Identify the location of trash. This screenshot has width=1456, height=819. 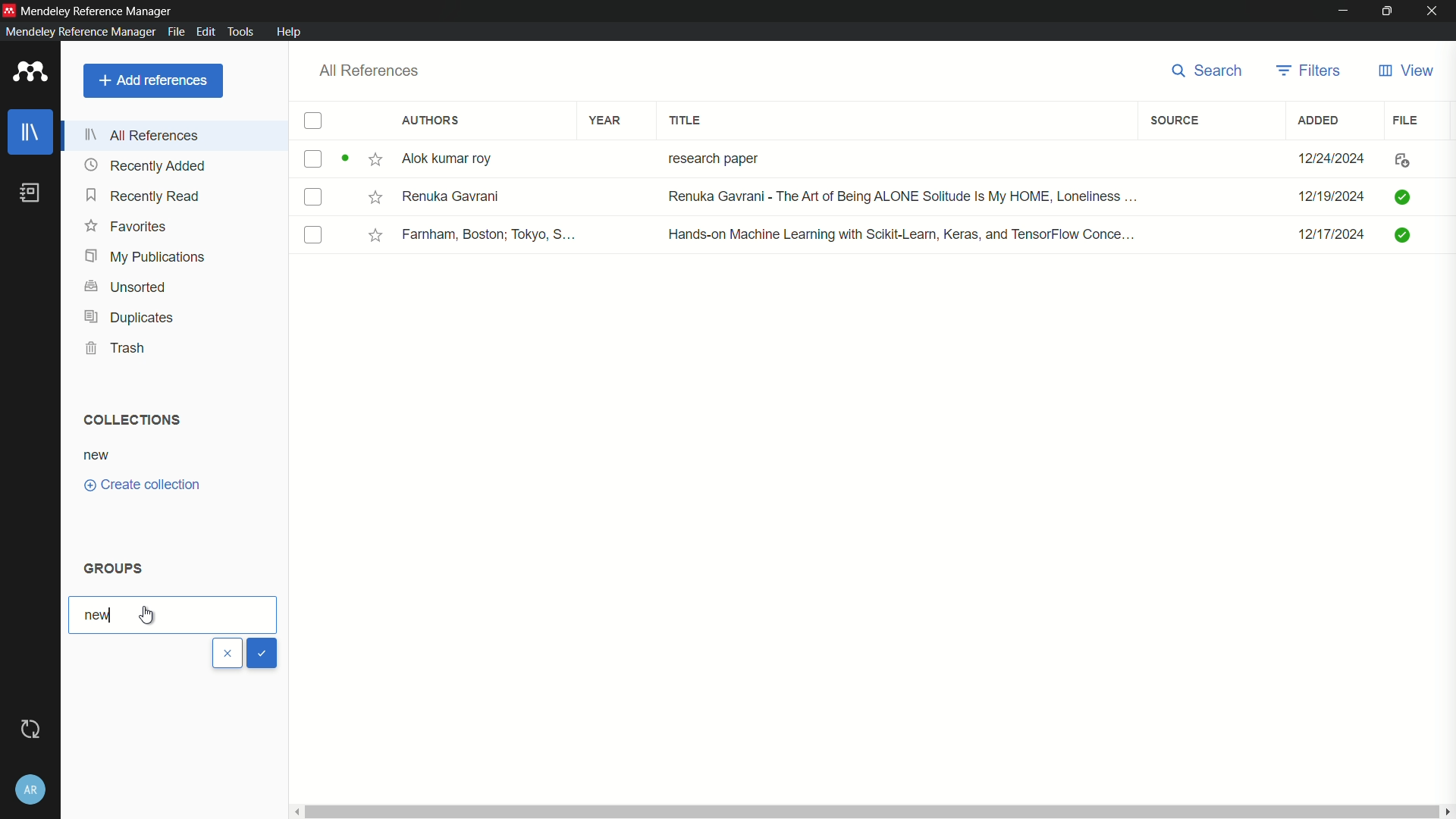
(119, 348).